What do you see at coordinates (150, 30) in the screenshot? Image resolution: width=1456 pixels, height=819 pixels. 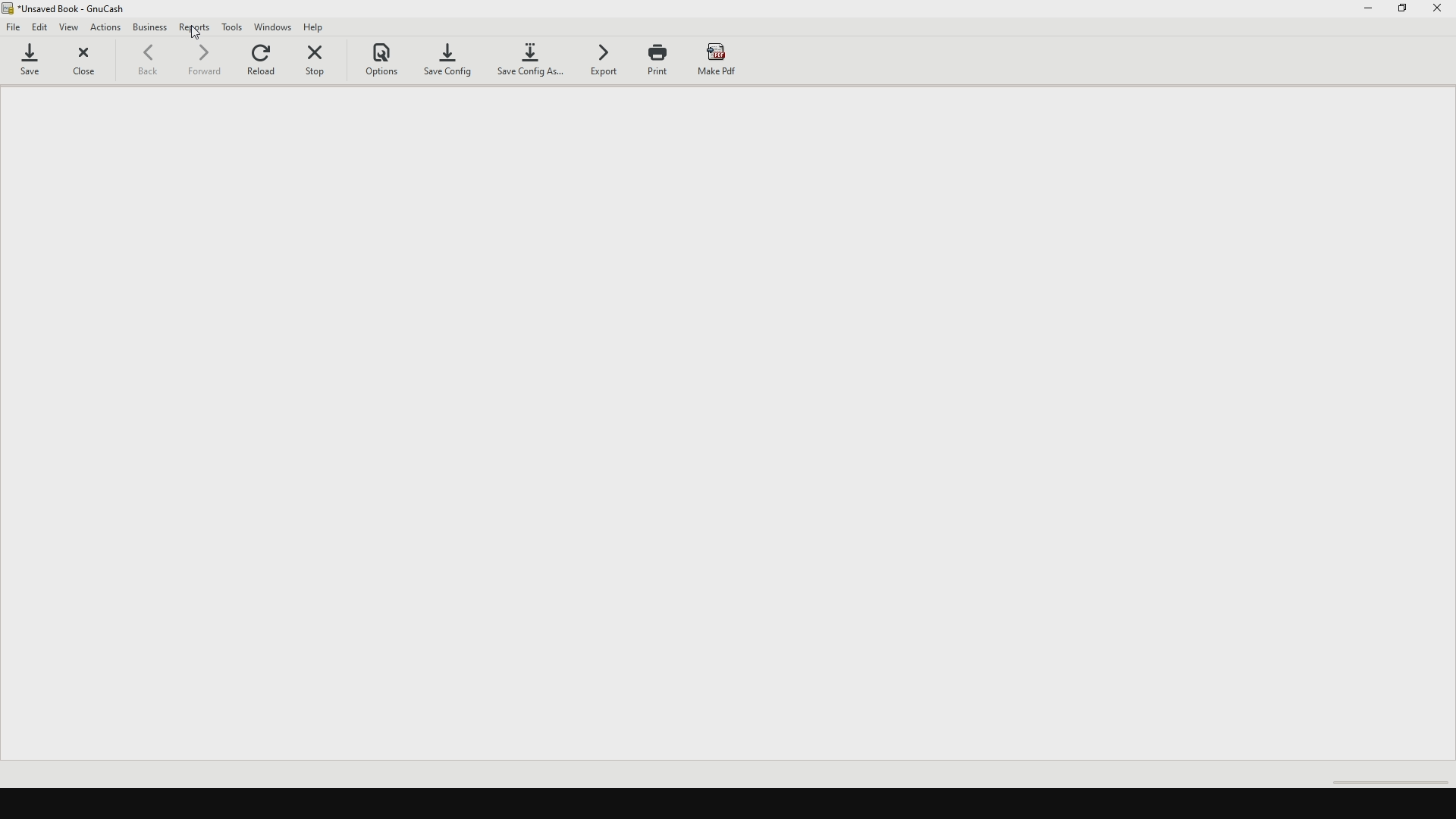 I see `business` at bounding box center [150, 30].